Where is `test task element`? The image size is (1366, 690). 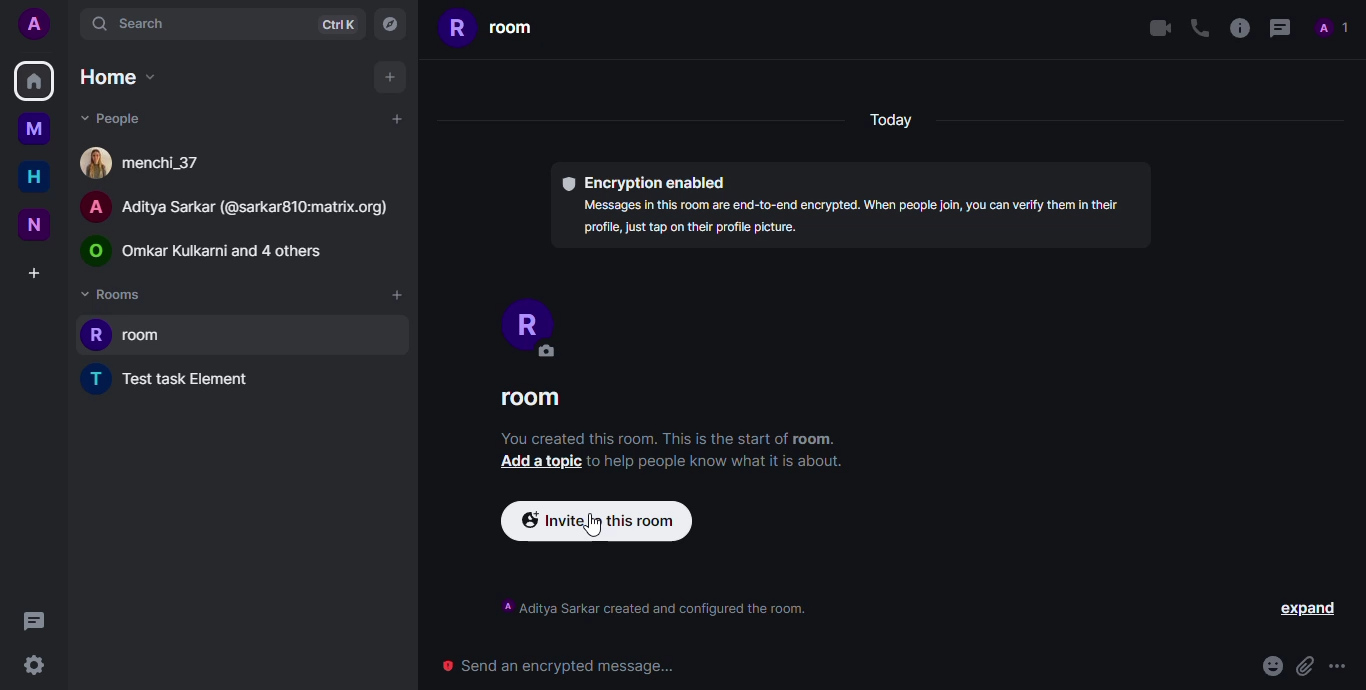 test task element is located at coordinates (173, 379).